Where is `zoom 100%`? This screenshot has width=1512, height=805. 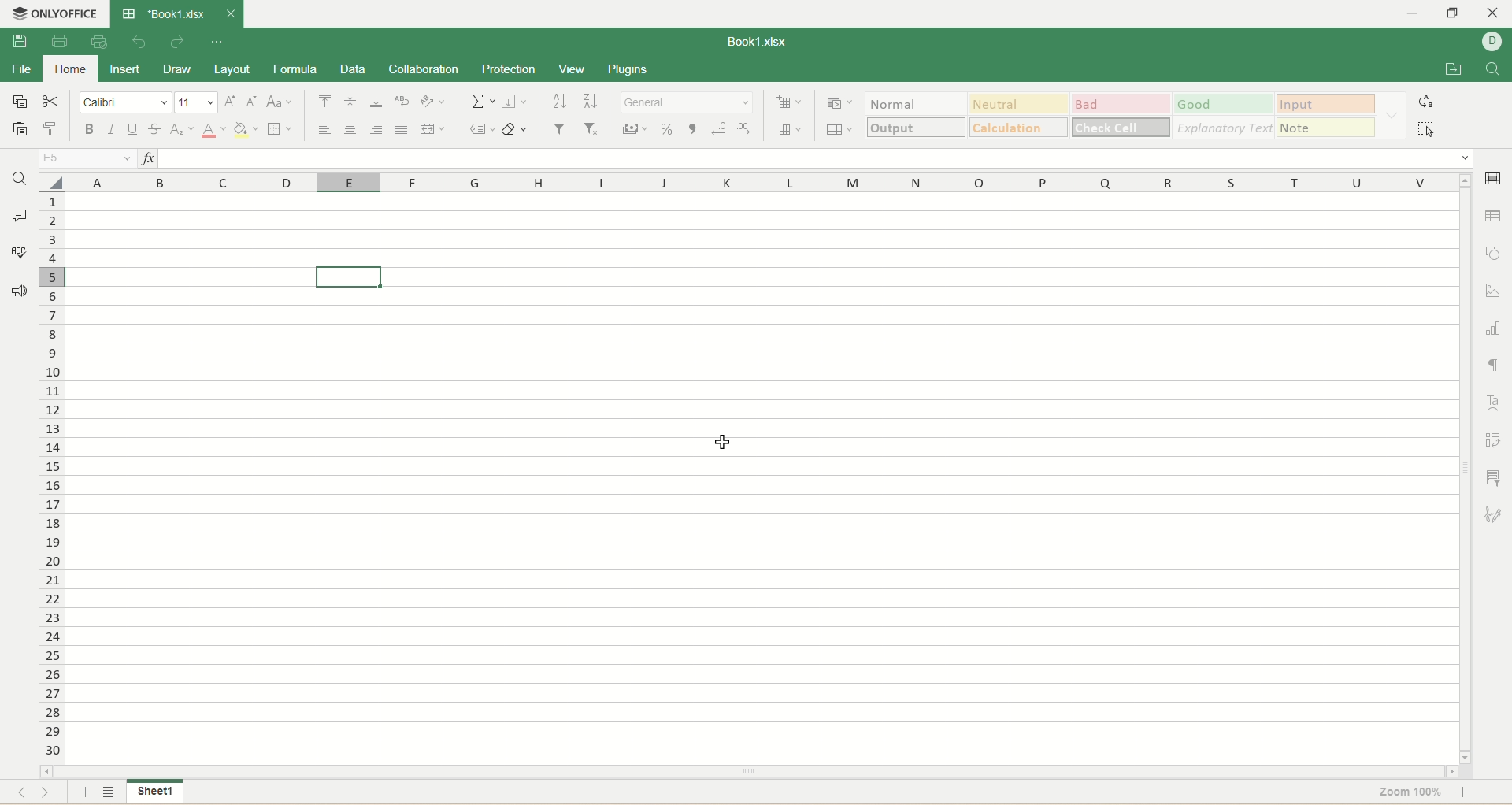 zoom 100% is located at coordinates (1414, 794).